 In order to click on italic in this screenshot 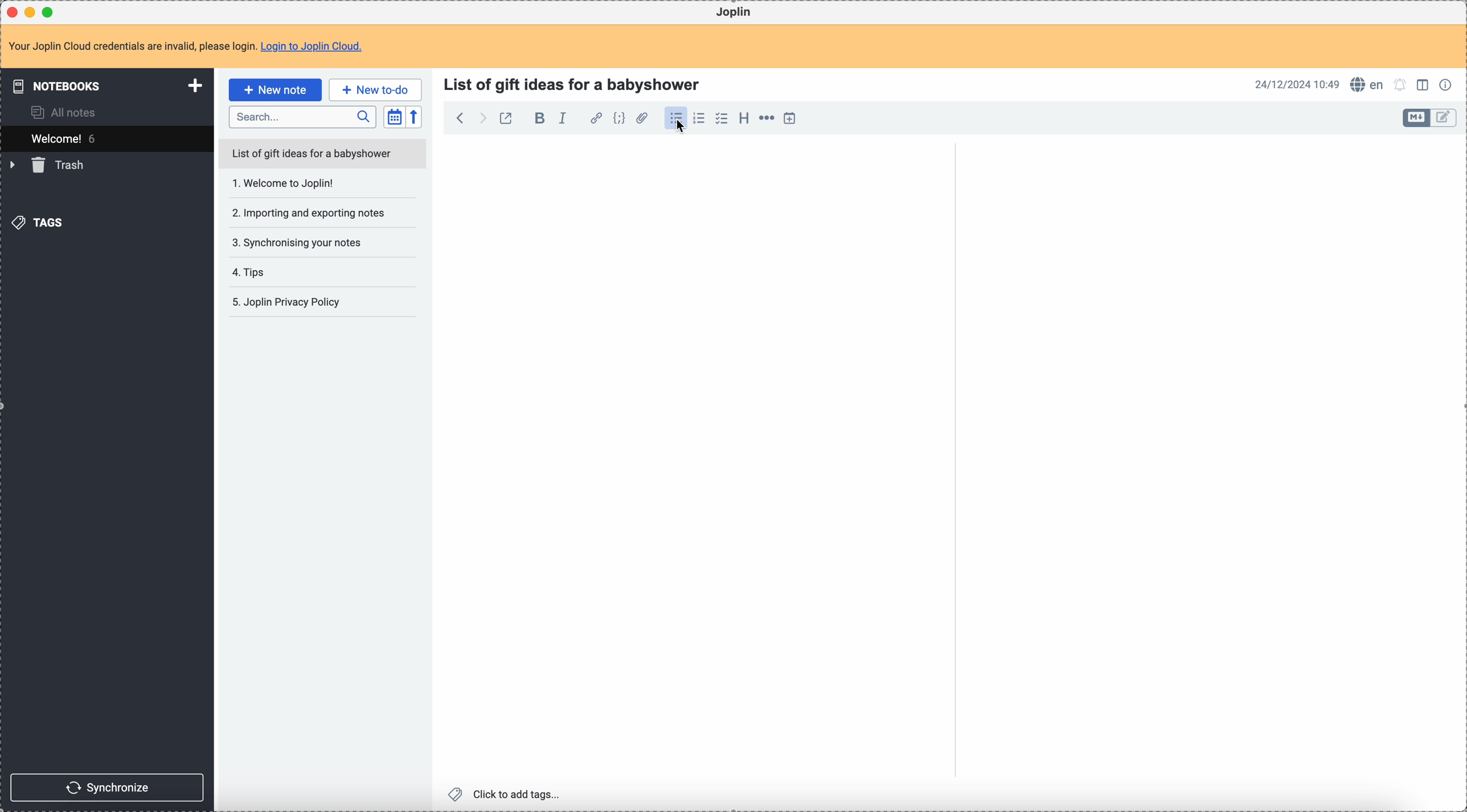, I will do `click(564, 119)`.